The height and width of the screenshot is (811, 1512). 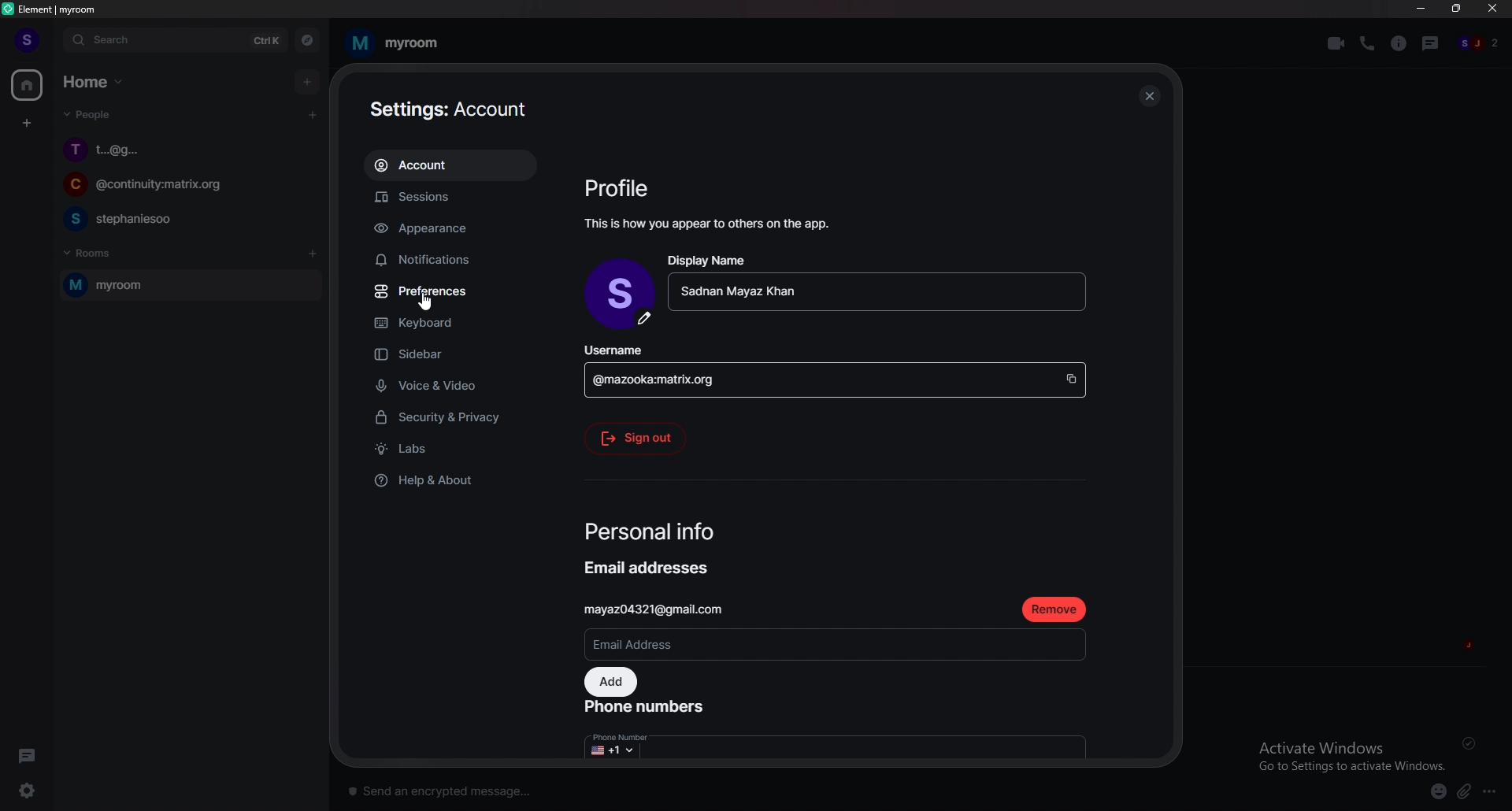 What do you see at coordinates (308, 40) in the screenshot?
I see `explore room` at bounding box center [308, 40].